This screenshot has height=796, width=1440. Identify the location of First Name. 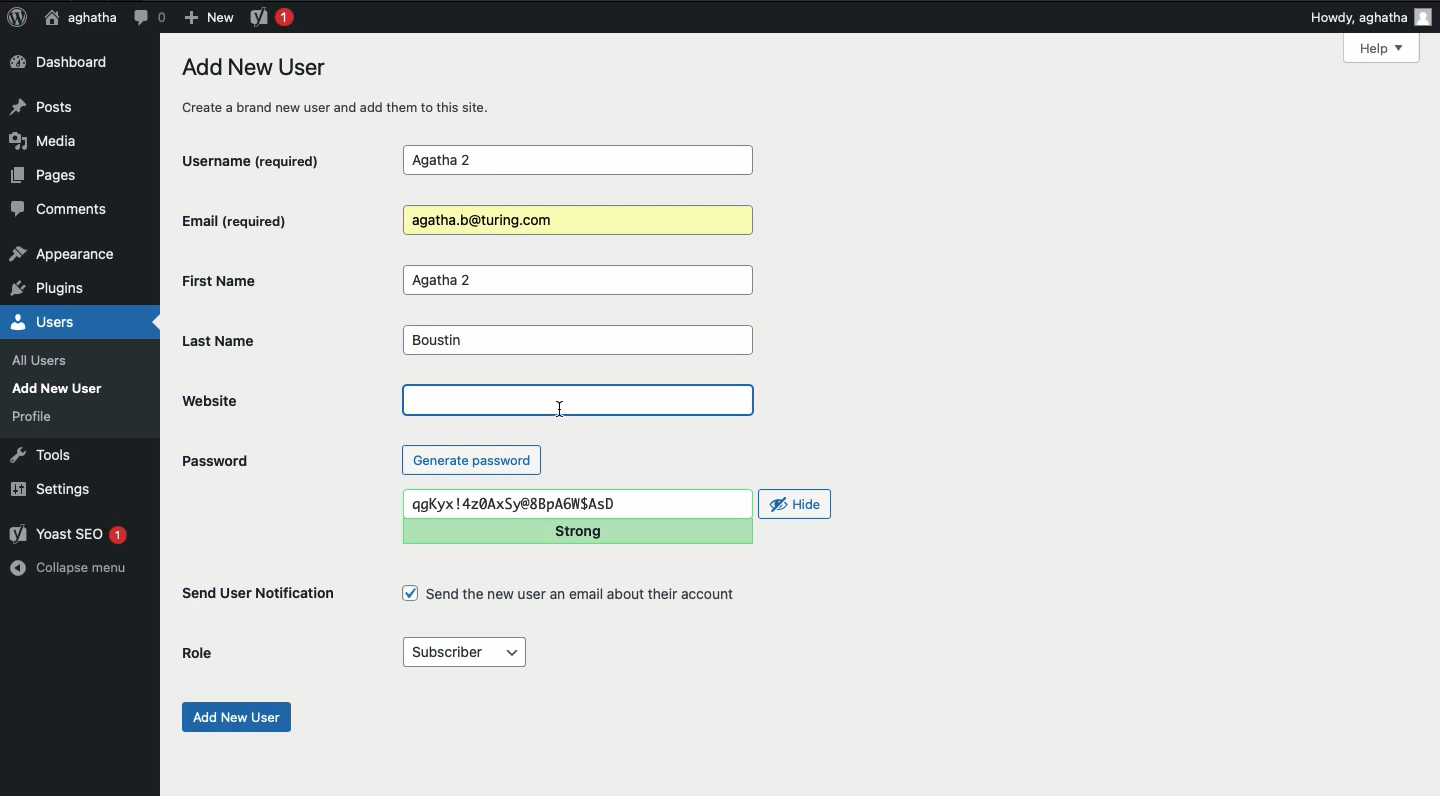
(274, 280).